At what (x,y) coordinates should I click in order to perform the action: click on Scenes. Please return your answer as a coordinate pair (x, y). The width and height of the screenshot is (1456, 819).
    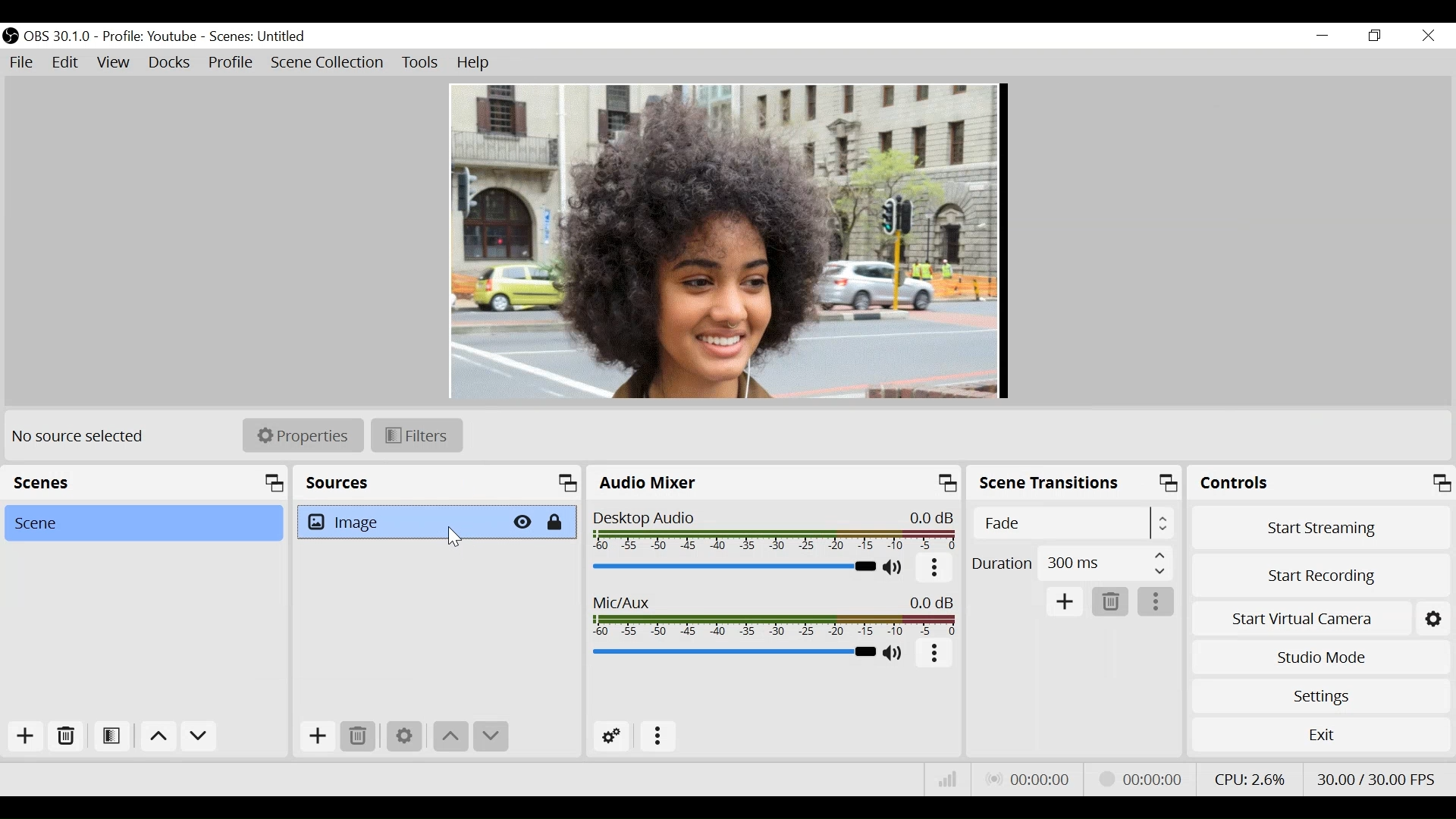
    Looking at the image, I should click on (145, 484).